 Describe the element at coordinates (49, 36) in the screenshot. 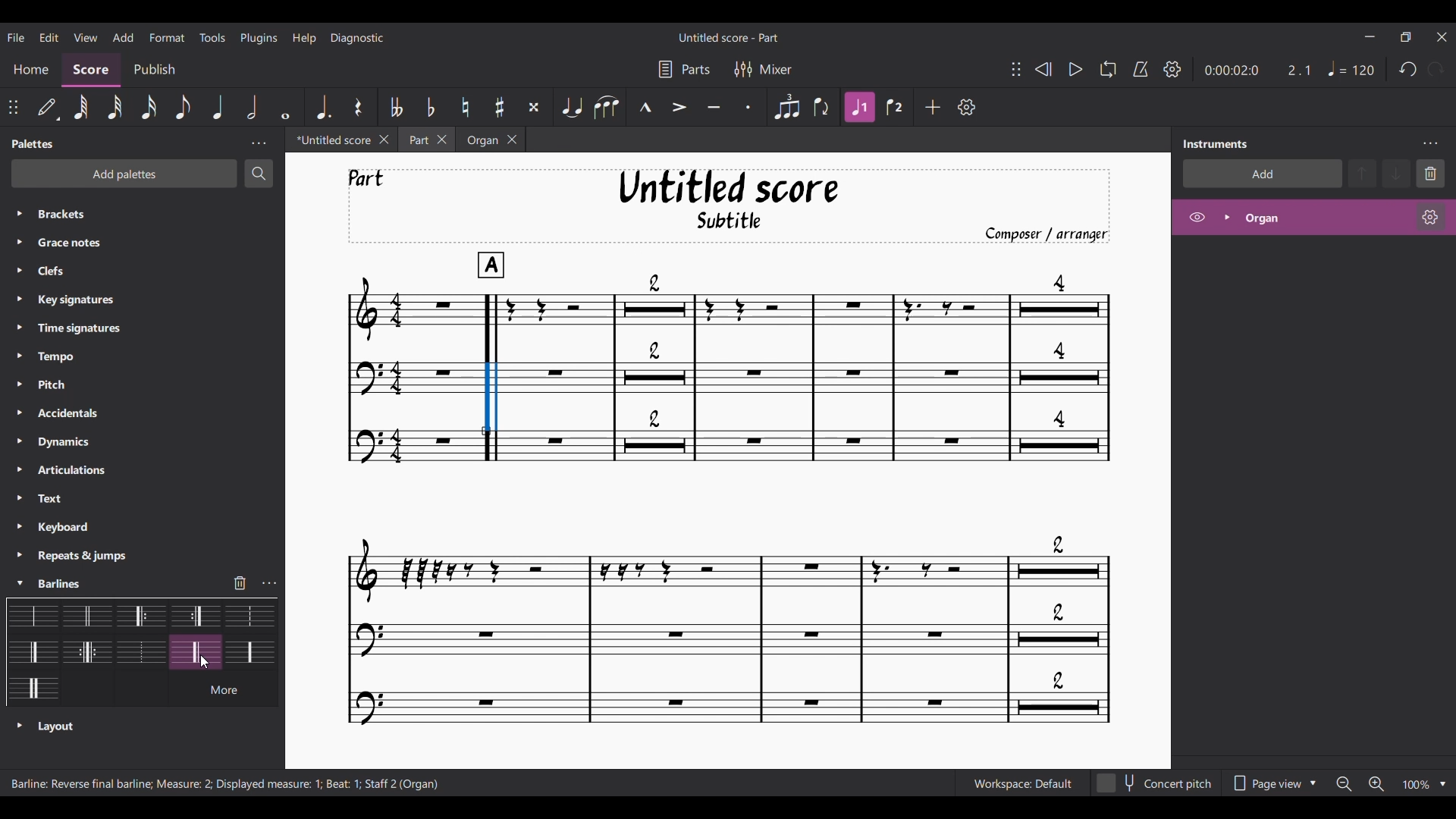

I see `Edit menu` at that location.